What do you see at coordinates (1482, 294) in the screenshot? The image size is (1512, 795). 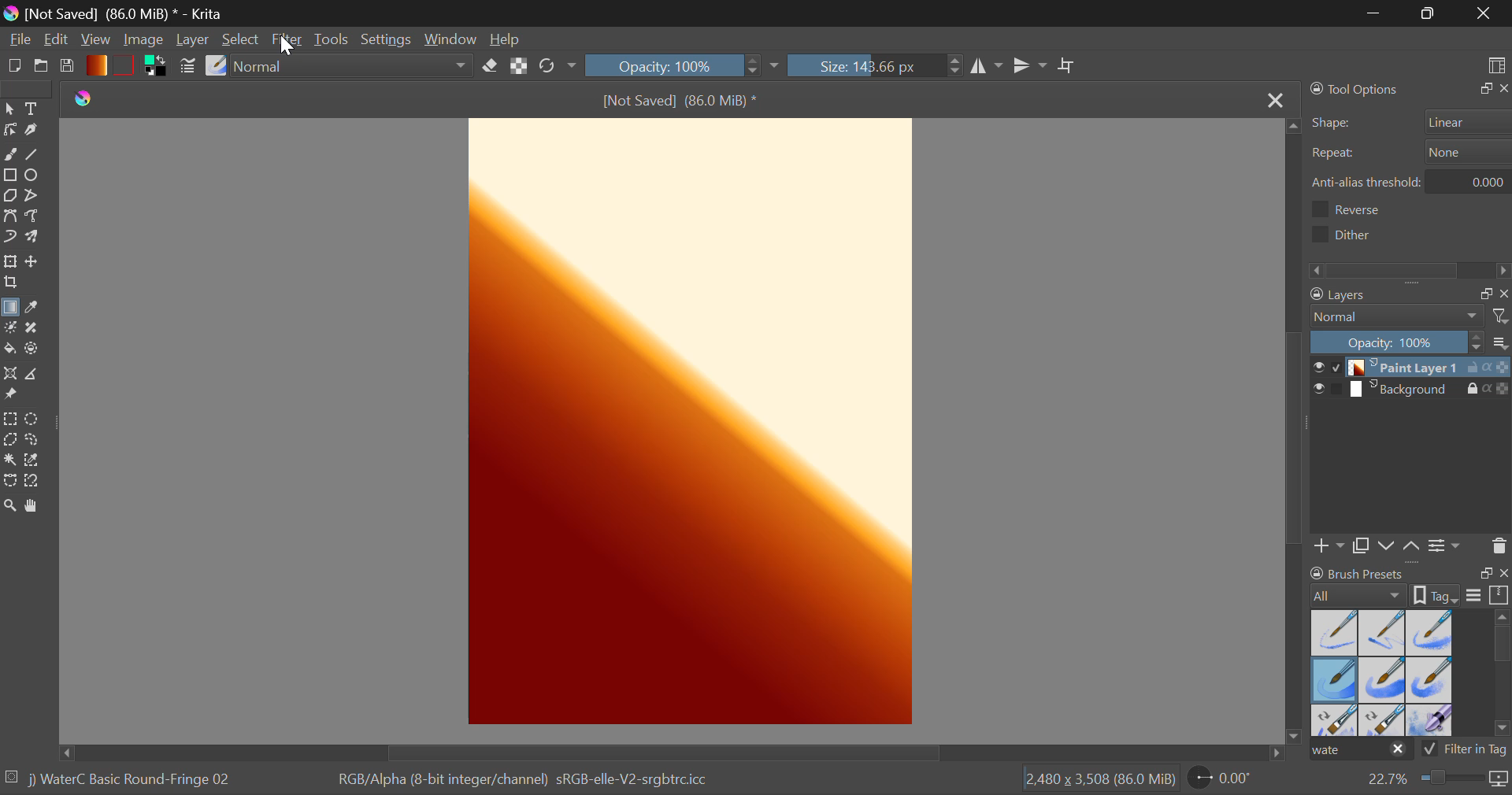 I see `copy ` at bounding box center [1482, 294].